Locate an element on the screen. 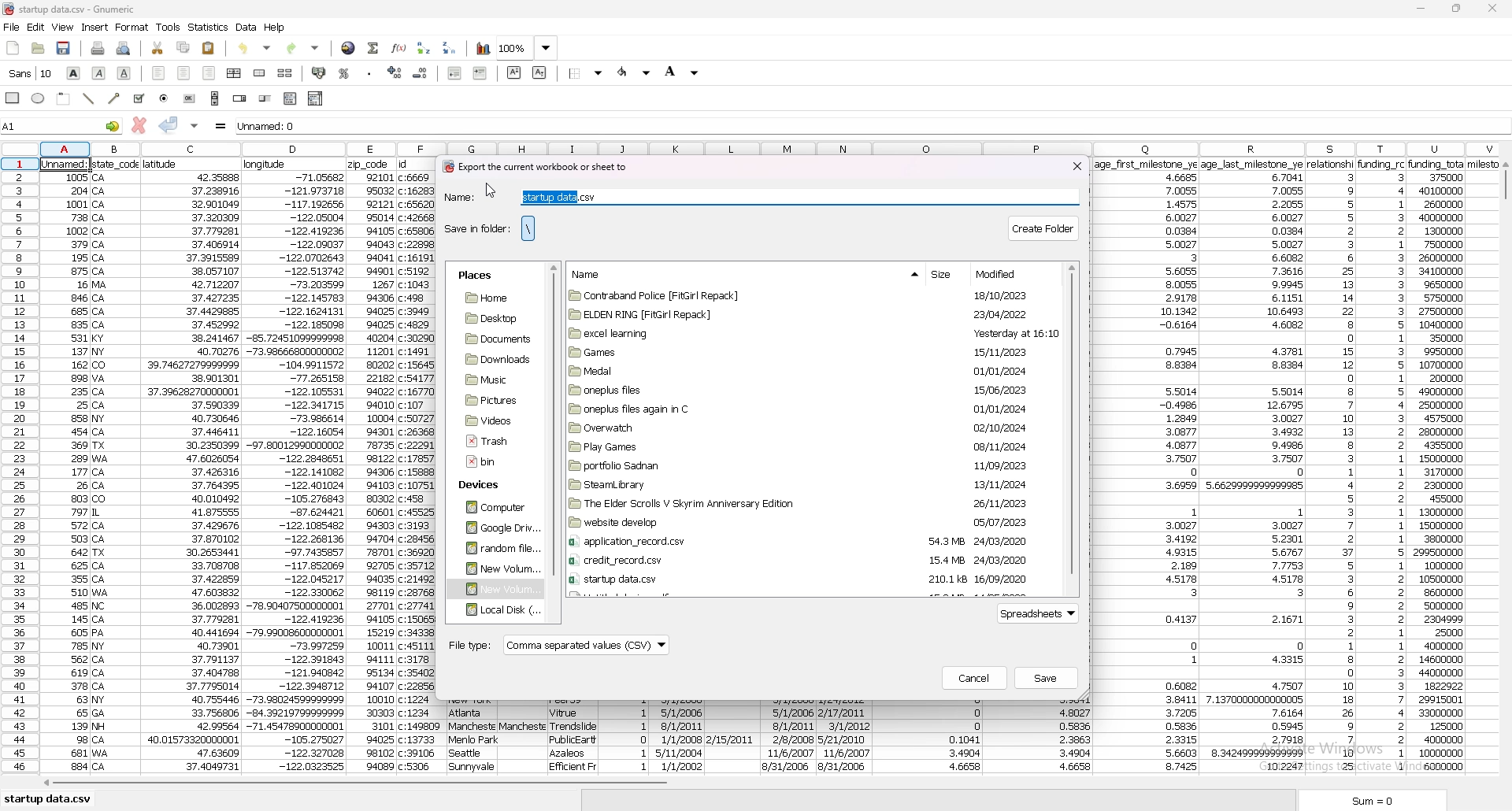 This screenshot has height=811, width=1512. merge cells is located at coordinates (261, 72).